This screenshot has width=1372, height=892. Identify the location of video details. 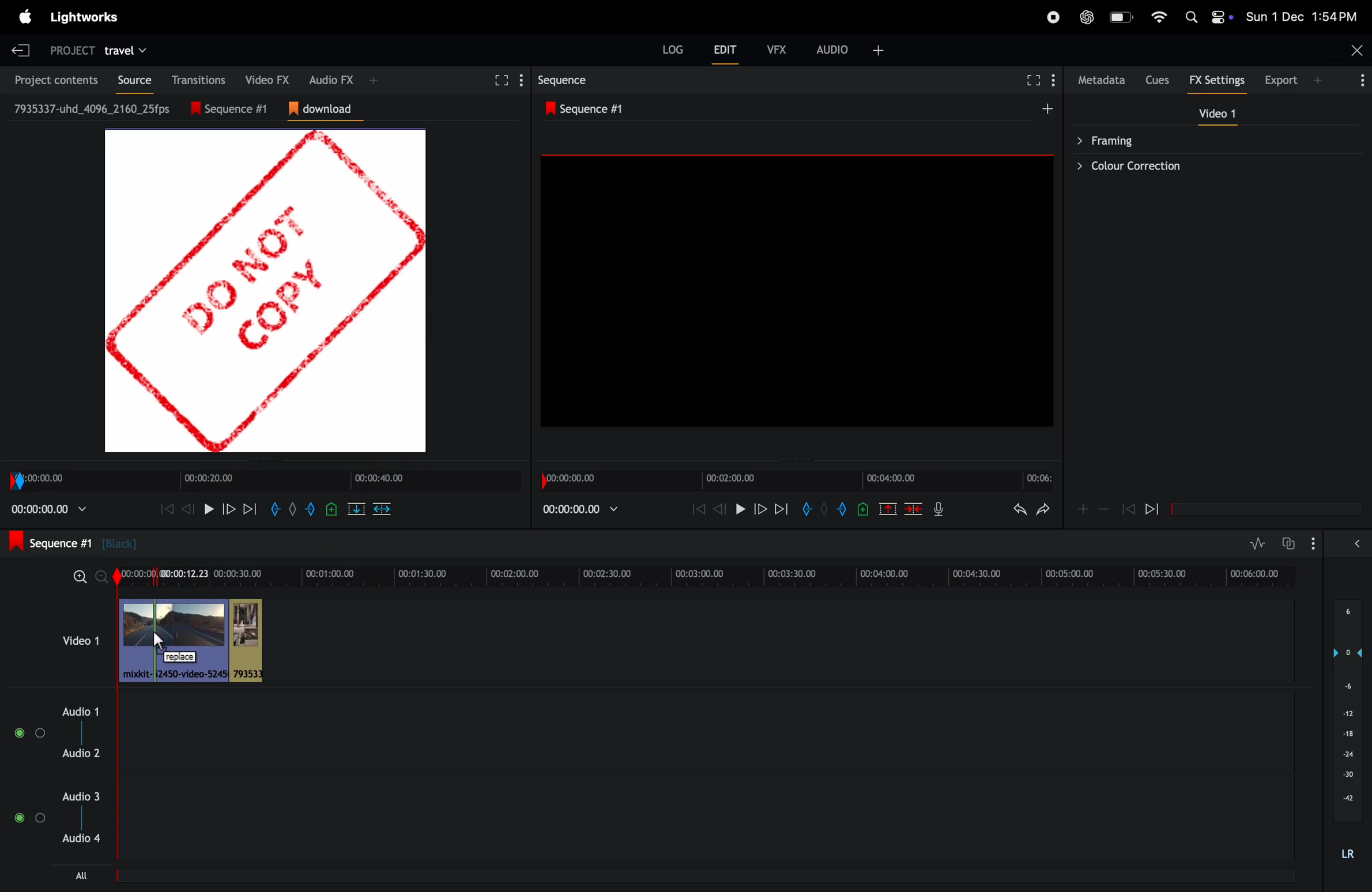
(93, 108).